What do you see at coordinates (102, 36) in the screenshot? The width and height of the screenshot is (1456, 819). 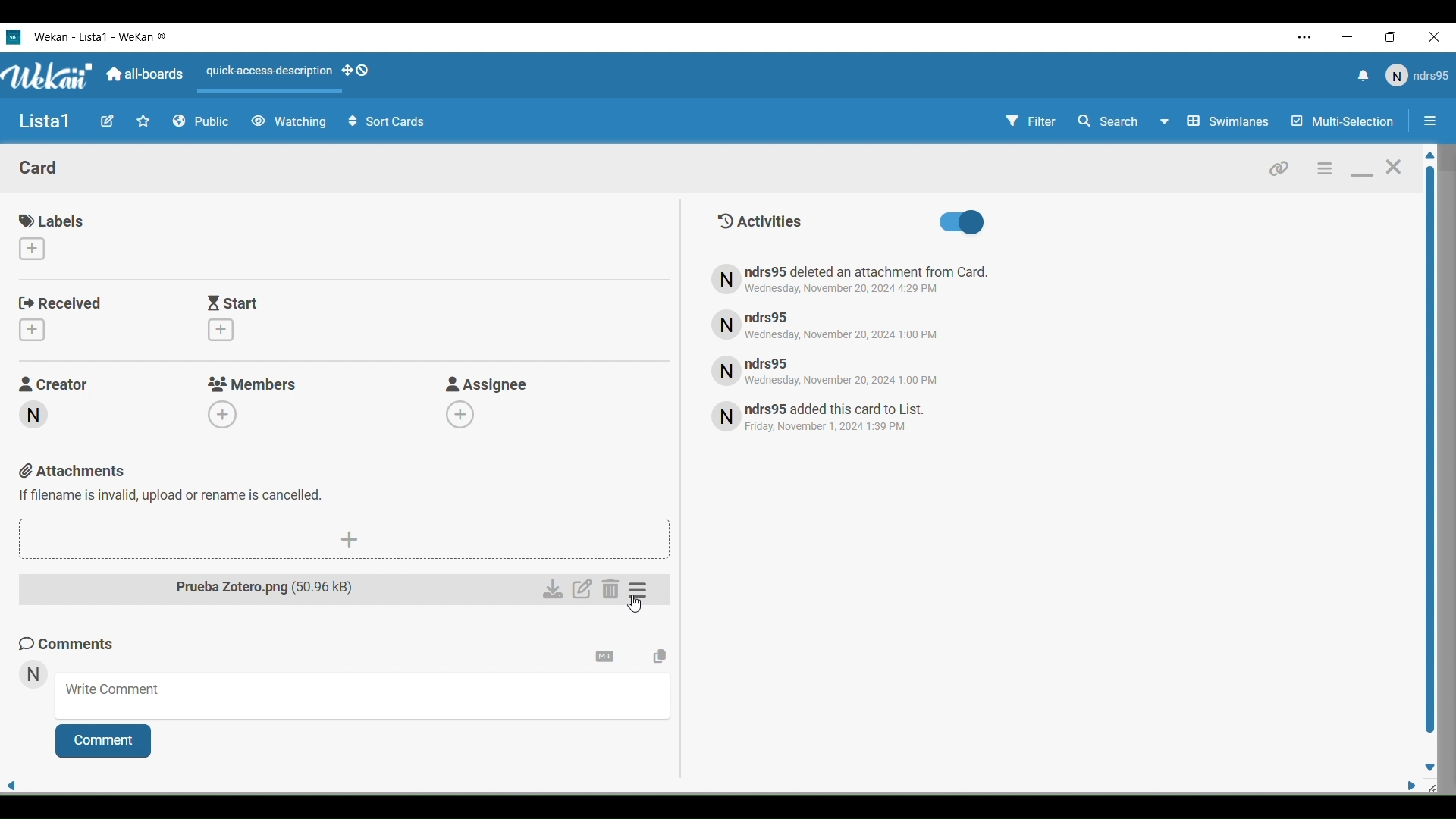 I see `WeKan` at bounding box center [102, 36].